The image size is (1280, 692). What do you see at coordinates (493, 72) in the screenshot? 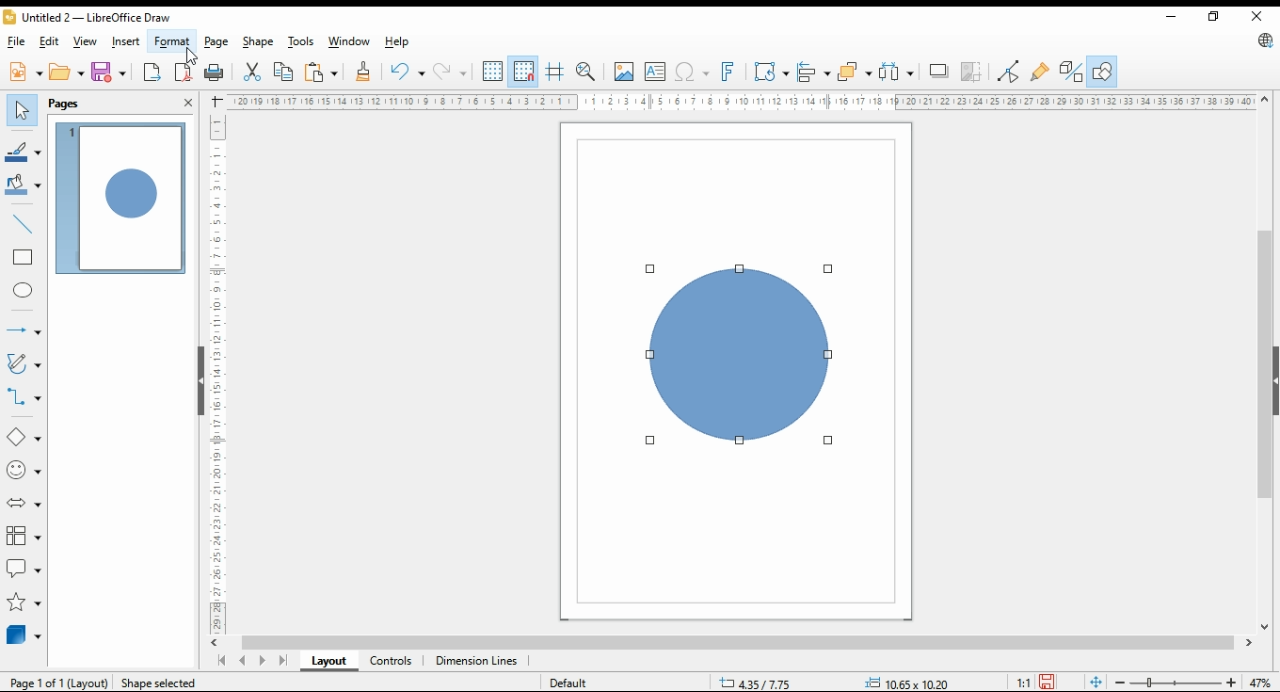
I see `show grids` at bounding box center [493, 72].